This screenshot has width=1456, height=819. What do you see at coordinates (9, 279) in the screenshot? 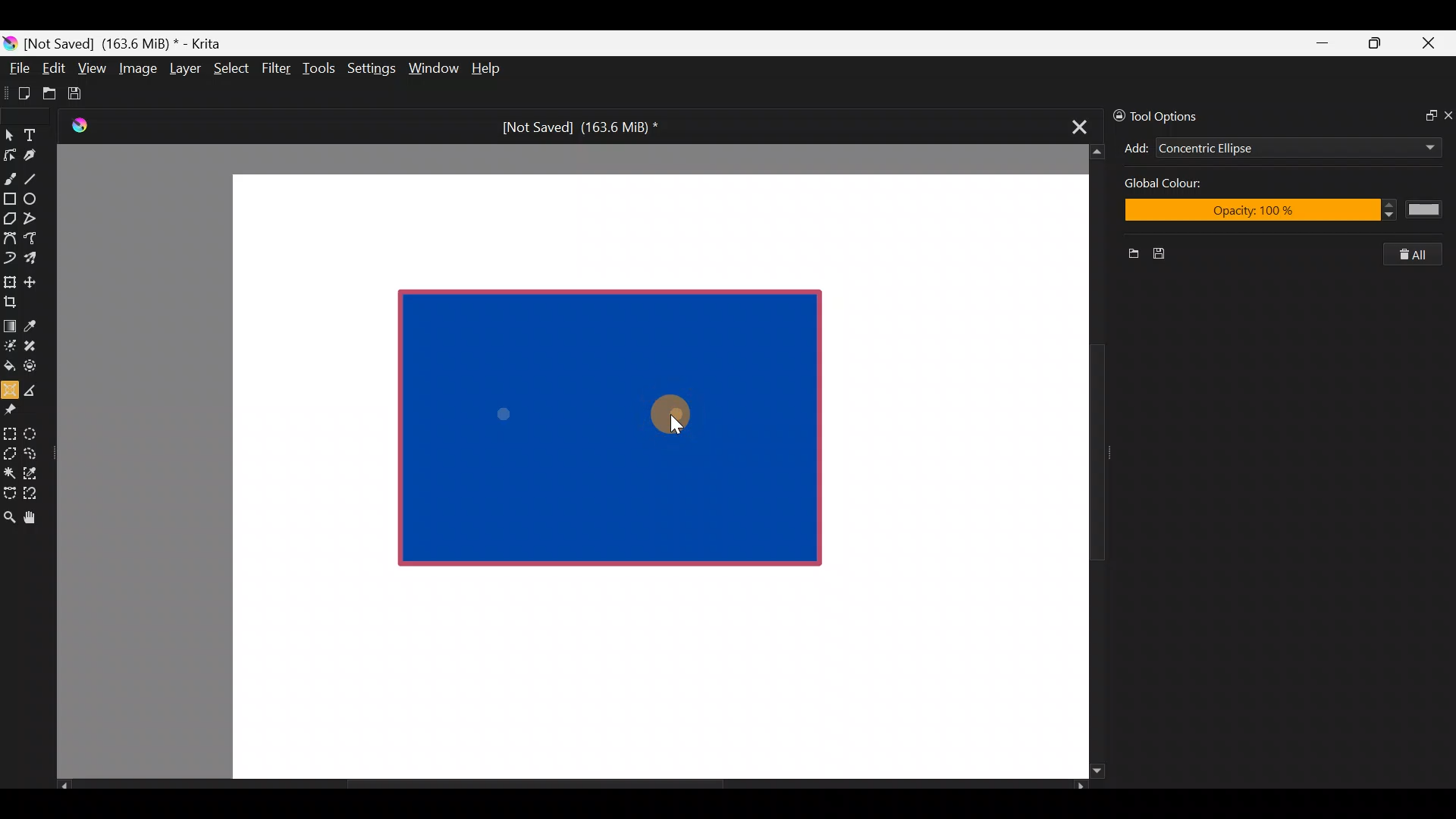
I see `Transform a layer/selection` at bounding box center [9, 279].